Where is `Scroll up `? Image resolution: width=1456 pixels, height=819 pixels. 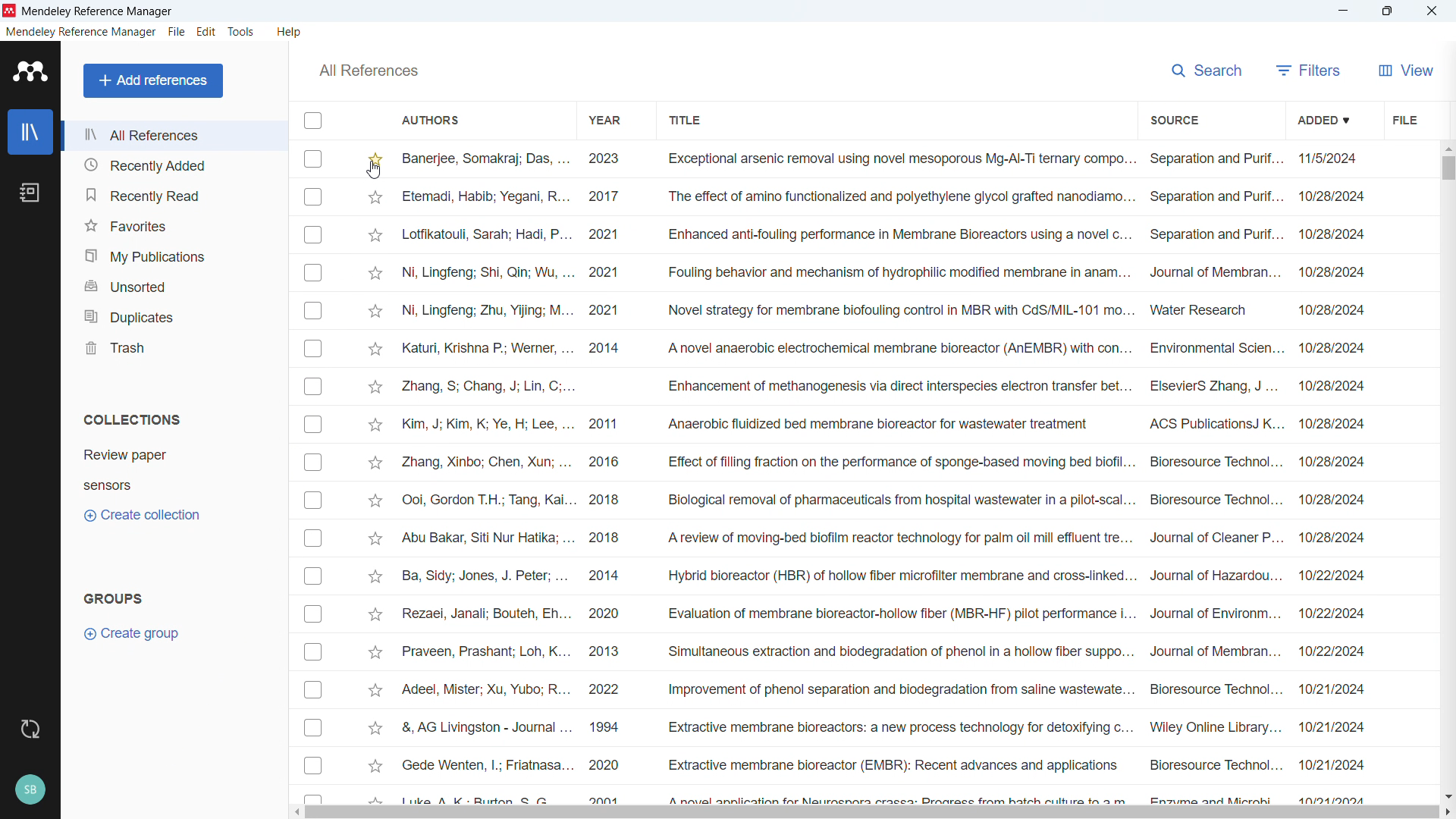 Scroll up  is located at coordinates (1447, 149).